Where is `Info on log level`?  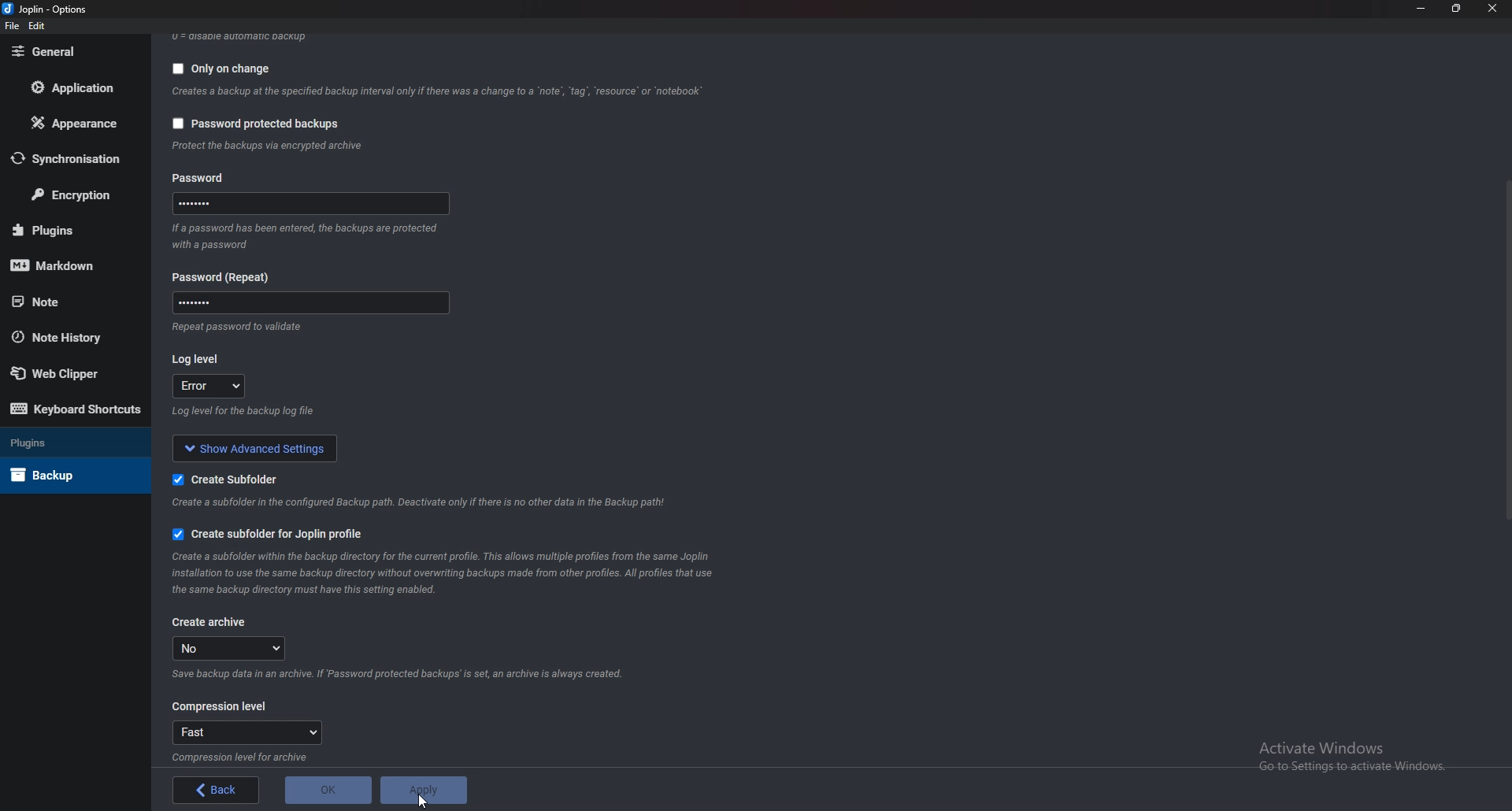
Info on log level is located at coordinates (242, 416).